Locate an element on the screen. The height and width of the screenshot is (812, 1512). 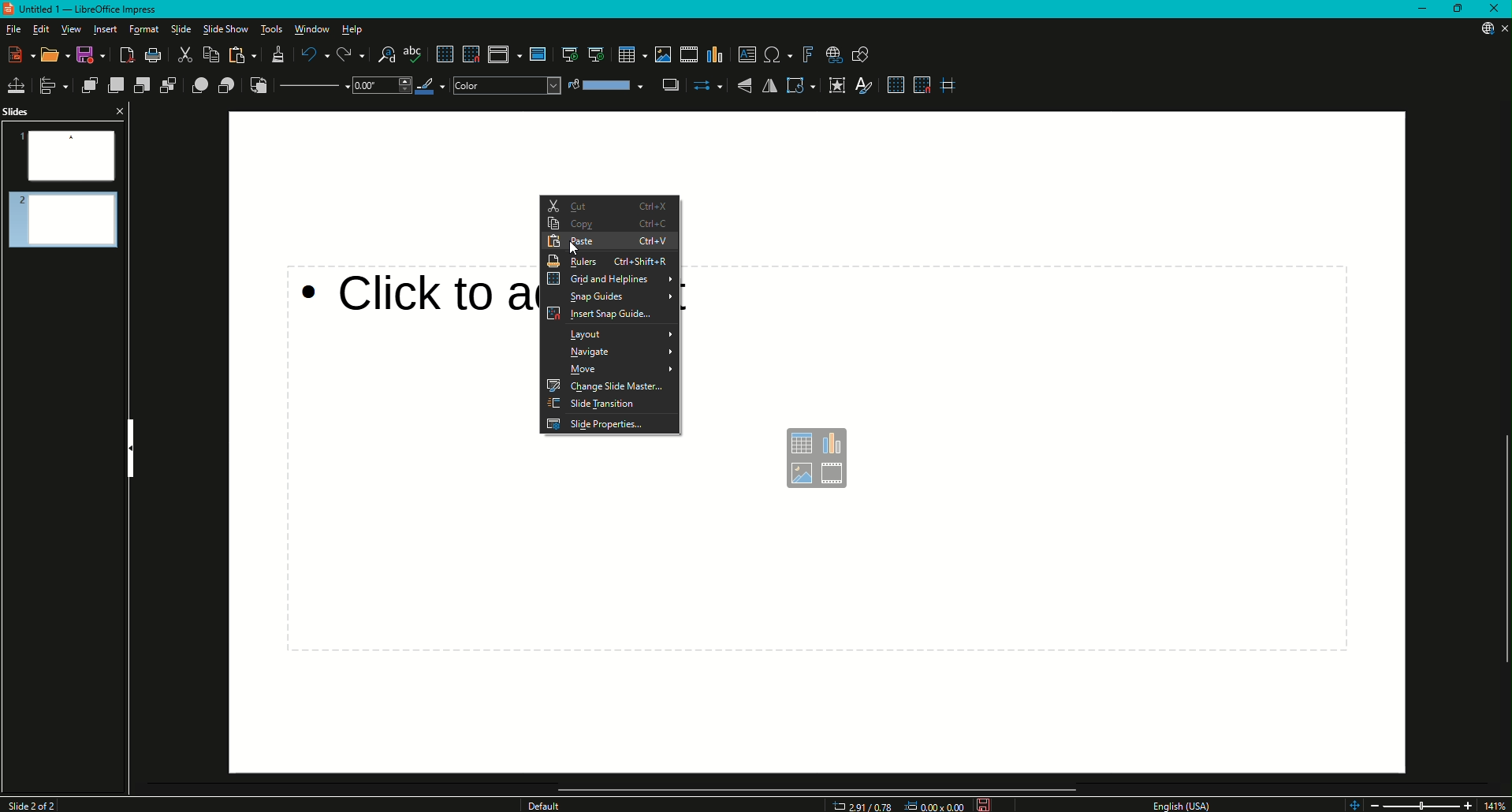
Interaction is located at coordinates (837, 86).